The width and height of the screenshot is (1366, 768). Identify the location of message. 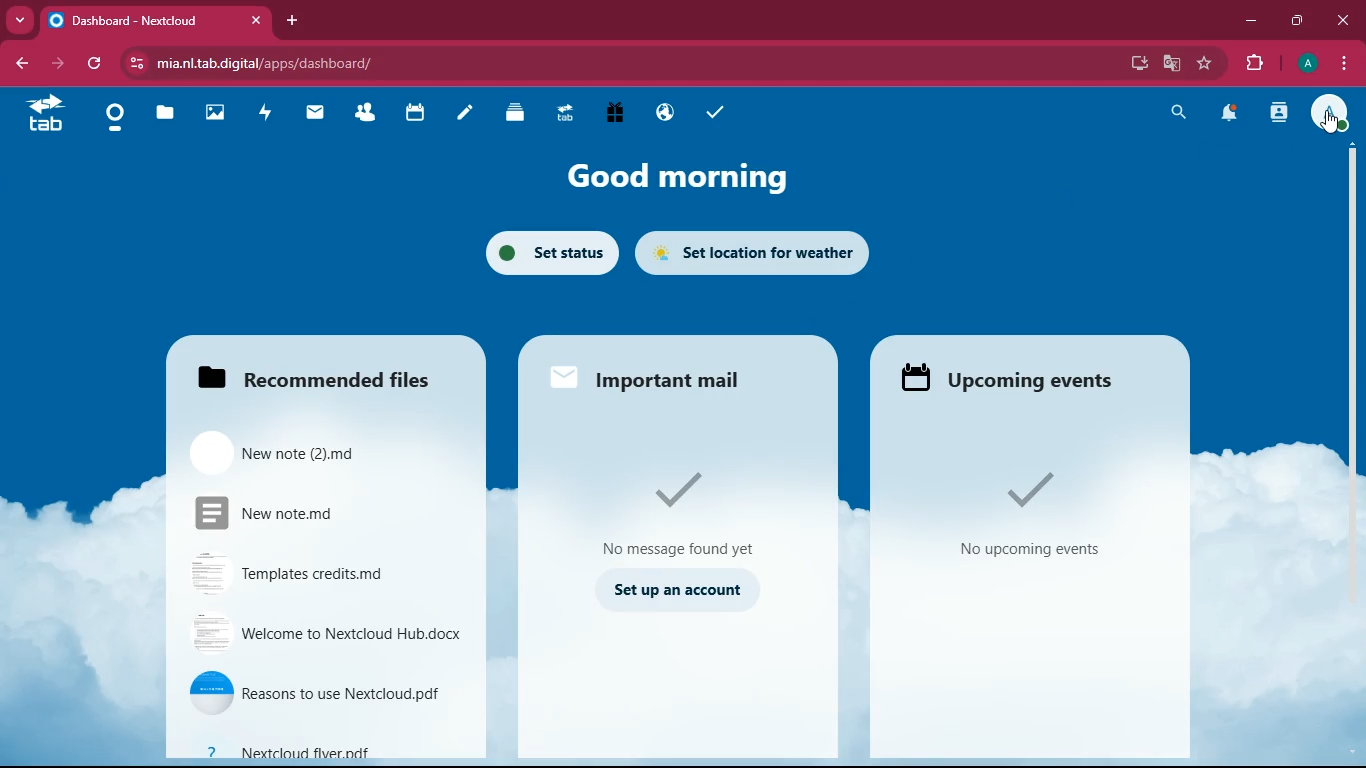
(683, 516).